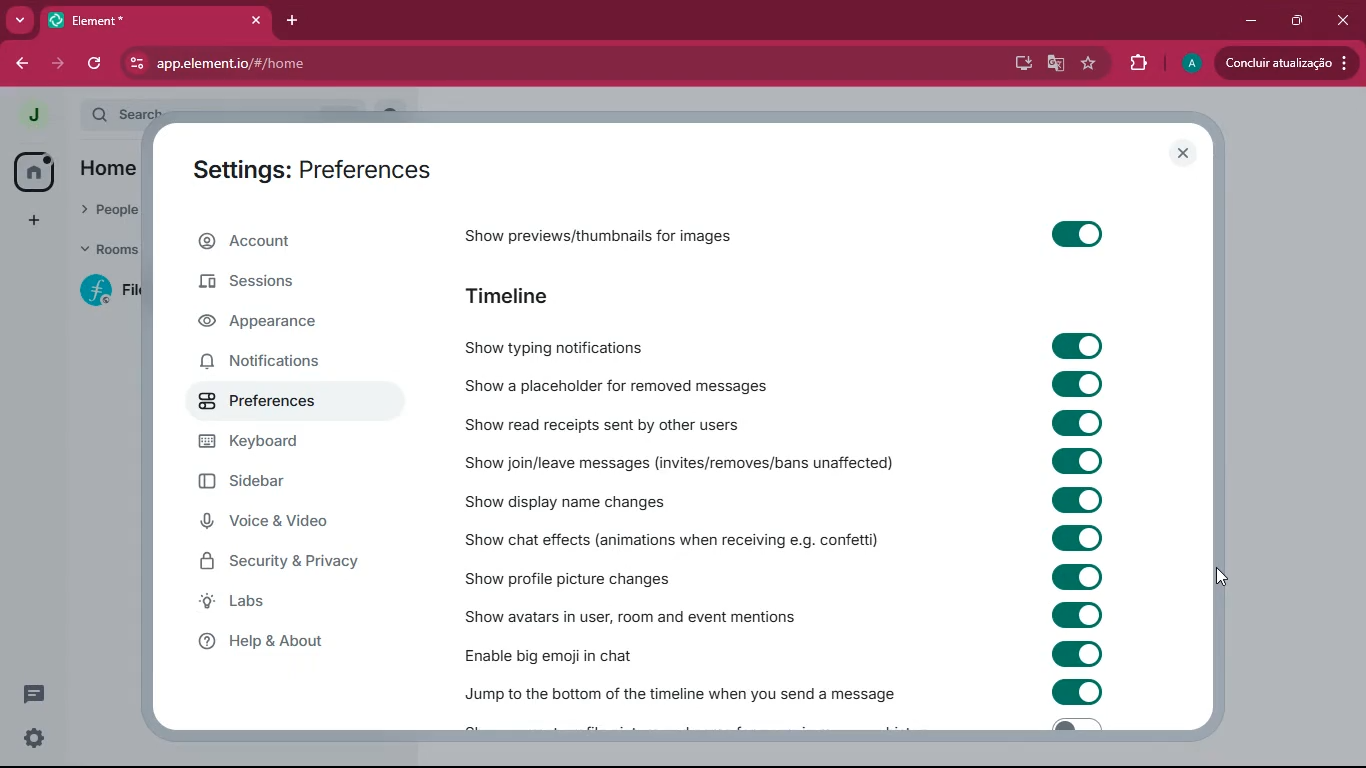 The height and width of the screenshot is (768, 1366). I want to click on search, so click(125, 109).